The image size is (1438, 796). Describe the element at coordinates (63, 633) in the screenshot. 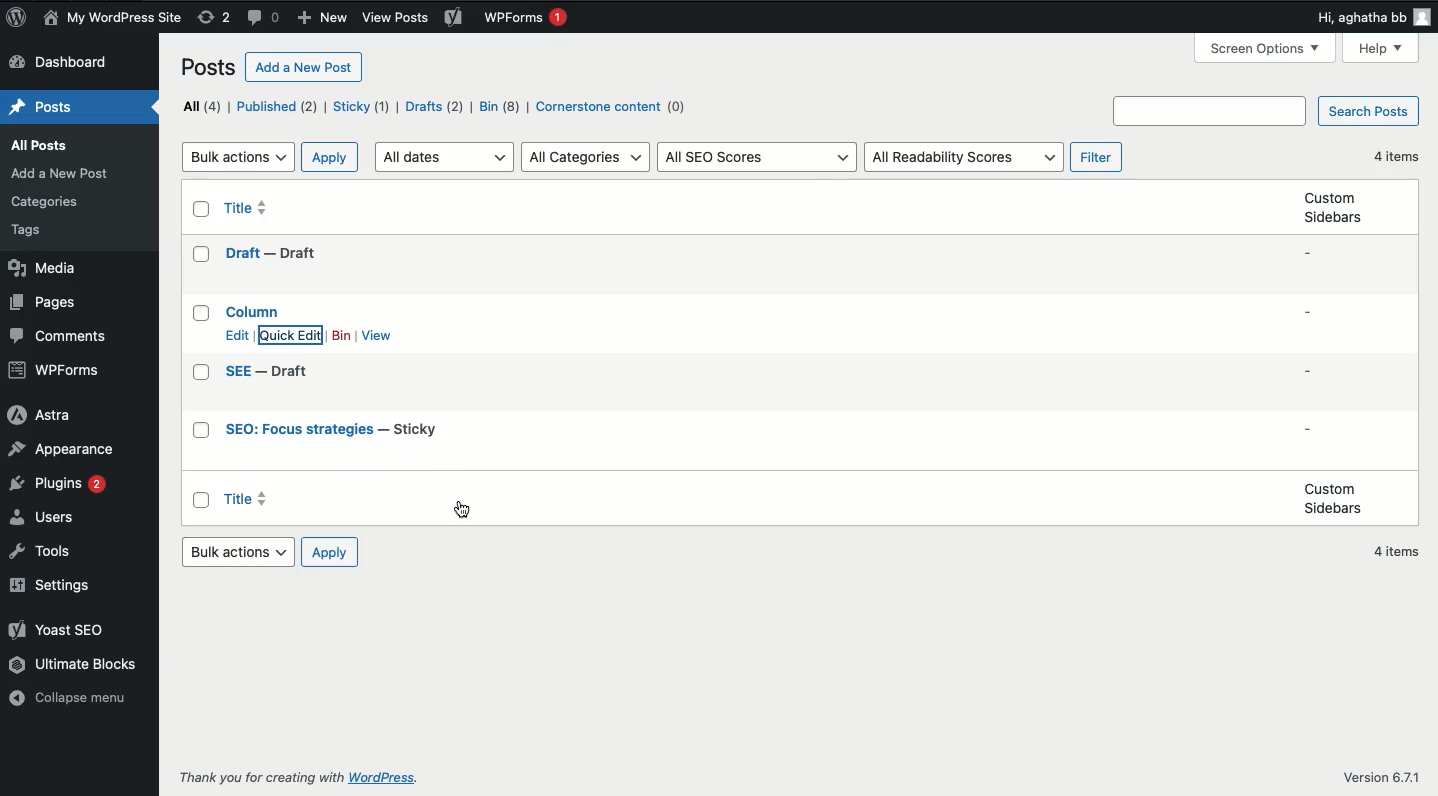

I see `Yoast` at that location.